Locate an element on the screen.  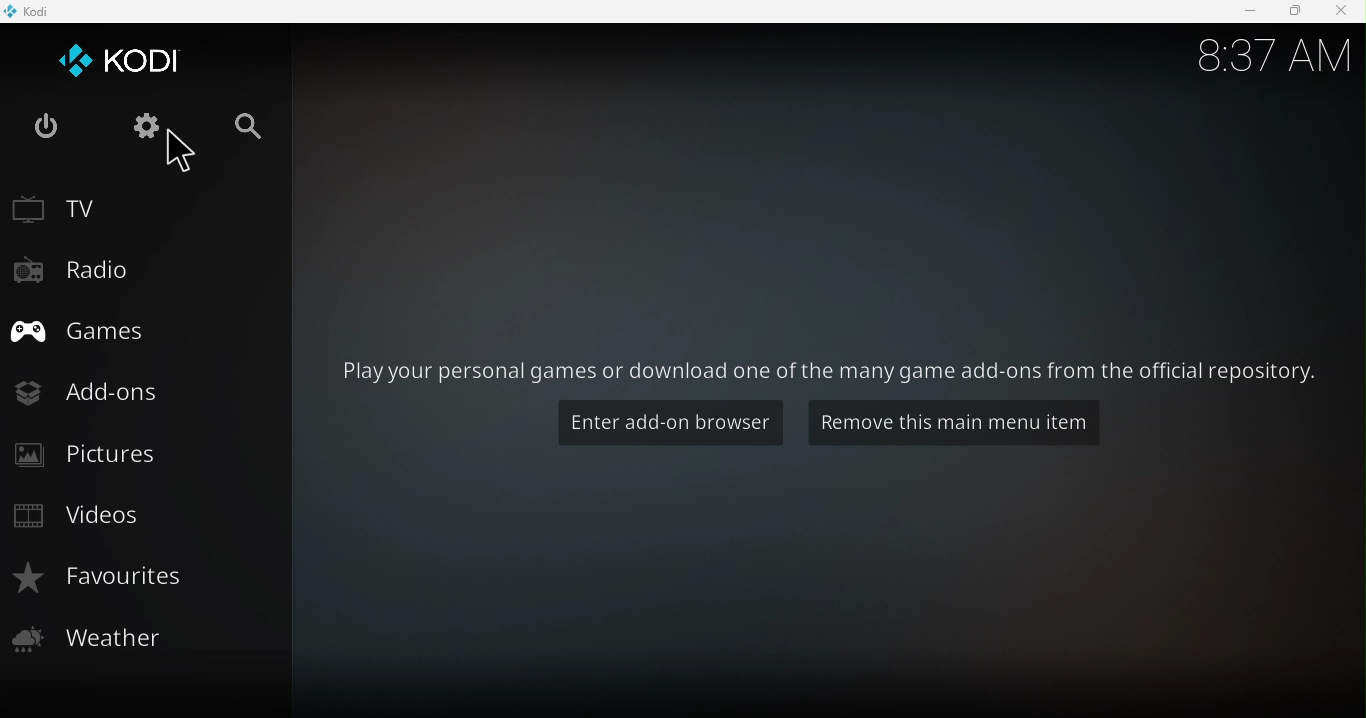
Weather is located at coordinates (139, 644).